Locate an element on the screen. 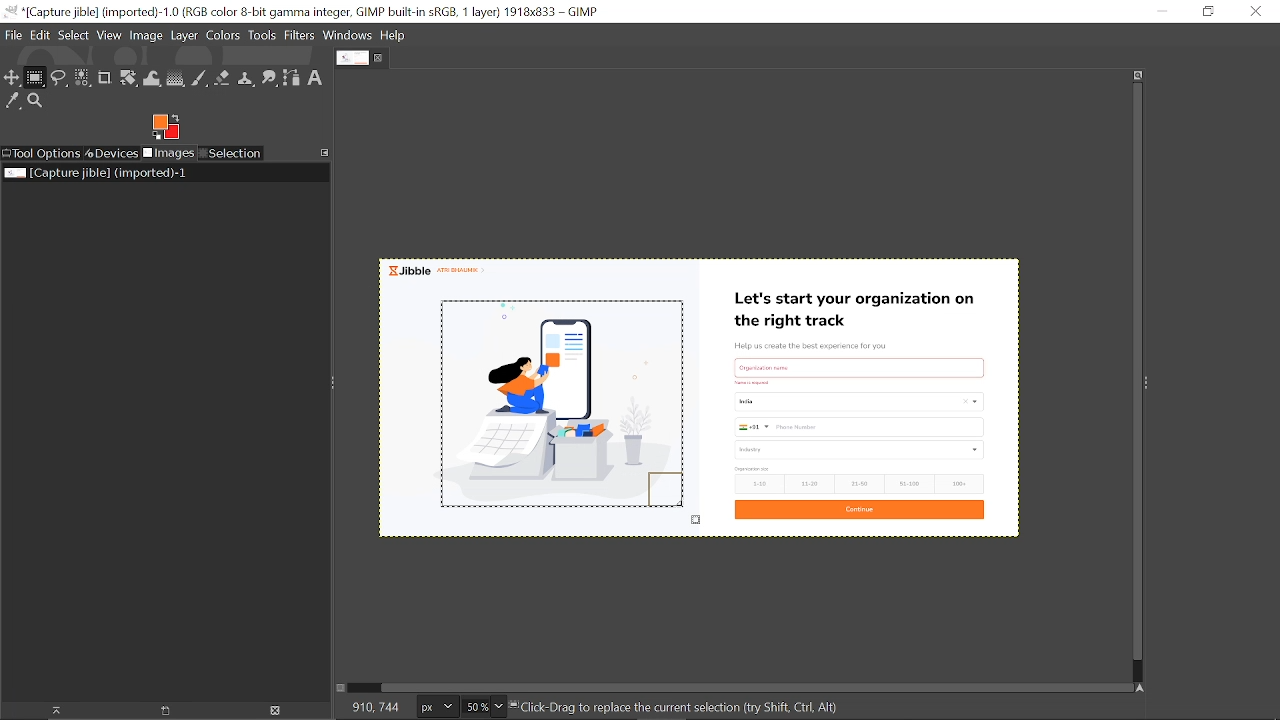 This screenshot has width=1280, height=720. Colors is located at coordinates (224, 36).